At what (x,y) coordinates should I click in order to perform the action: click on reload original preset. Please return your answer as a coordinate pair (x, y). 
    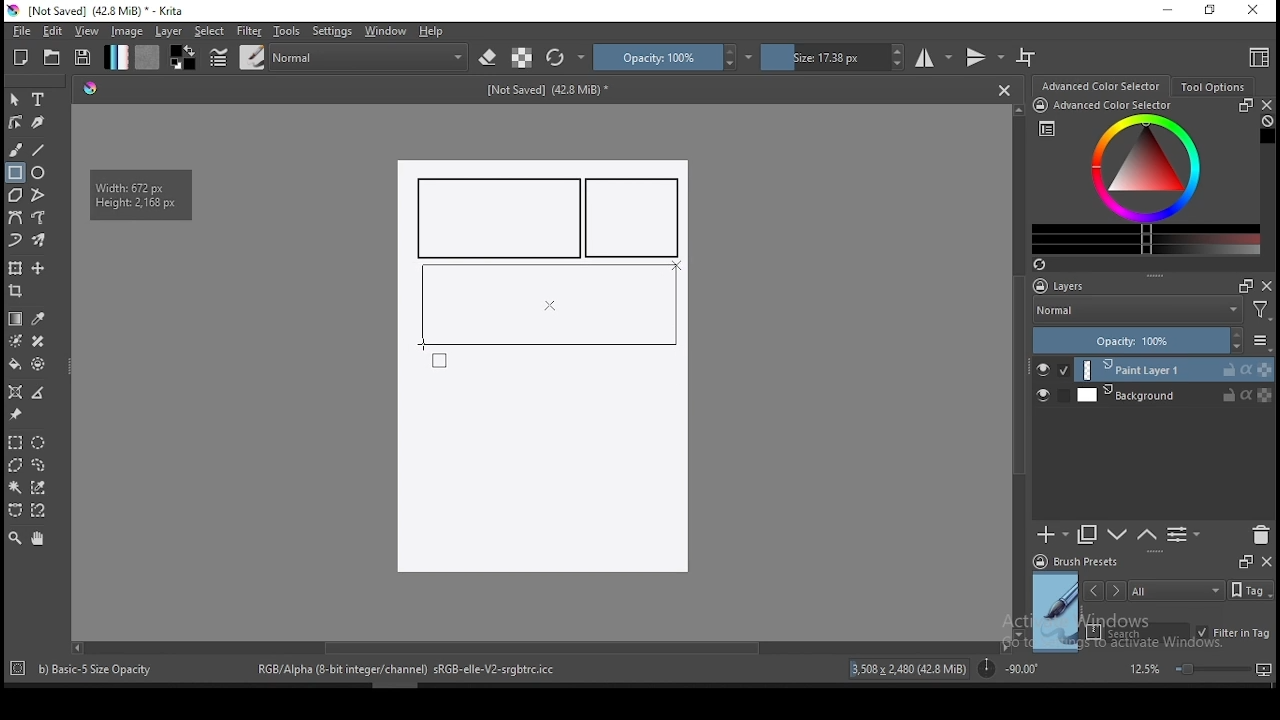
    Looking at the image, I should click on (566, 57).